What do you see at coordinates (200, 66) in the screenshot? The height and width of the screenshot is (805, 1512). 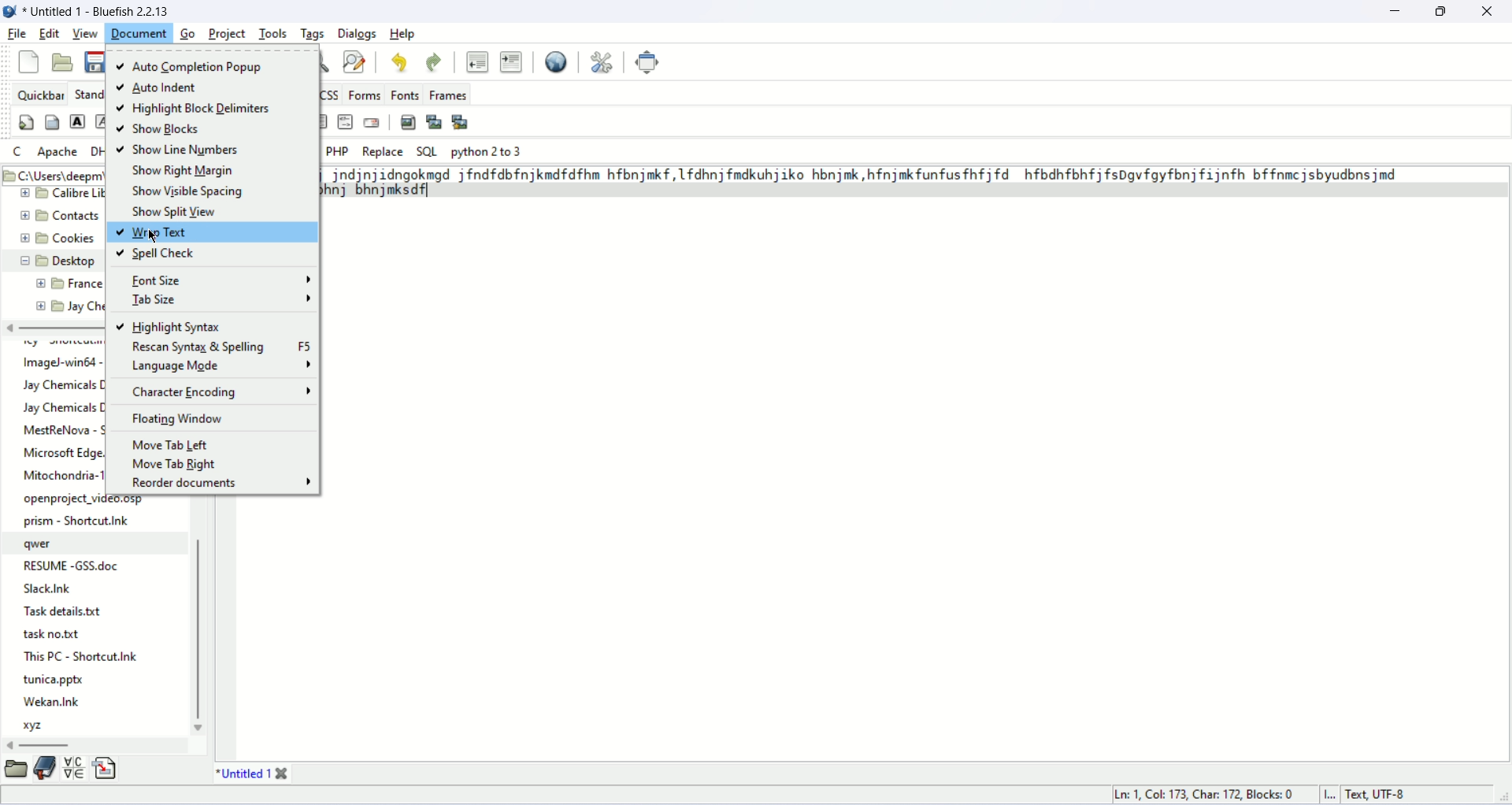 I see `auto completion popup` at bounding box center [200, 66].